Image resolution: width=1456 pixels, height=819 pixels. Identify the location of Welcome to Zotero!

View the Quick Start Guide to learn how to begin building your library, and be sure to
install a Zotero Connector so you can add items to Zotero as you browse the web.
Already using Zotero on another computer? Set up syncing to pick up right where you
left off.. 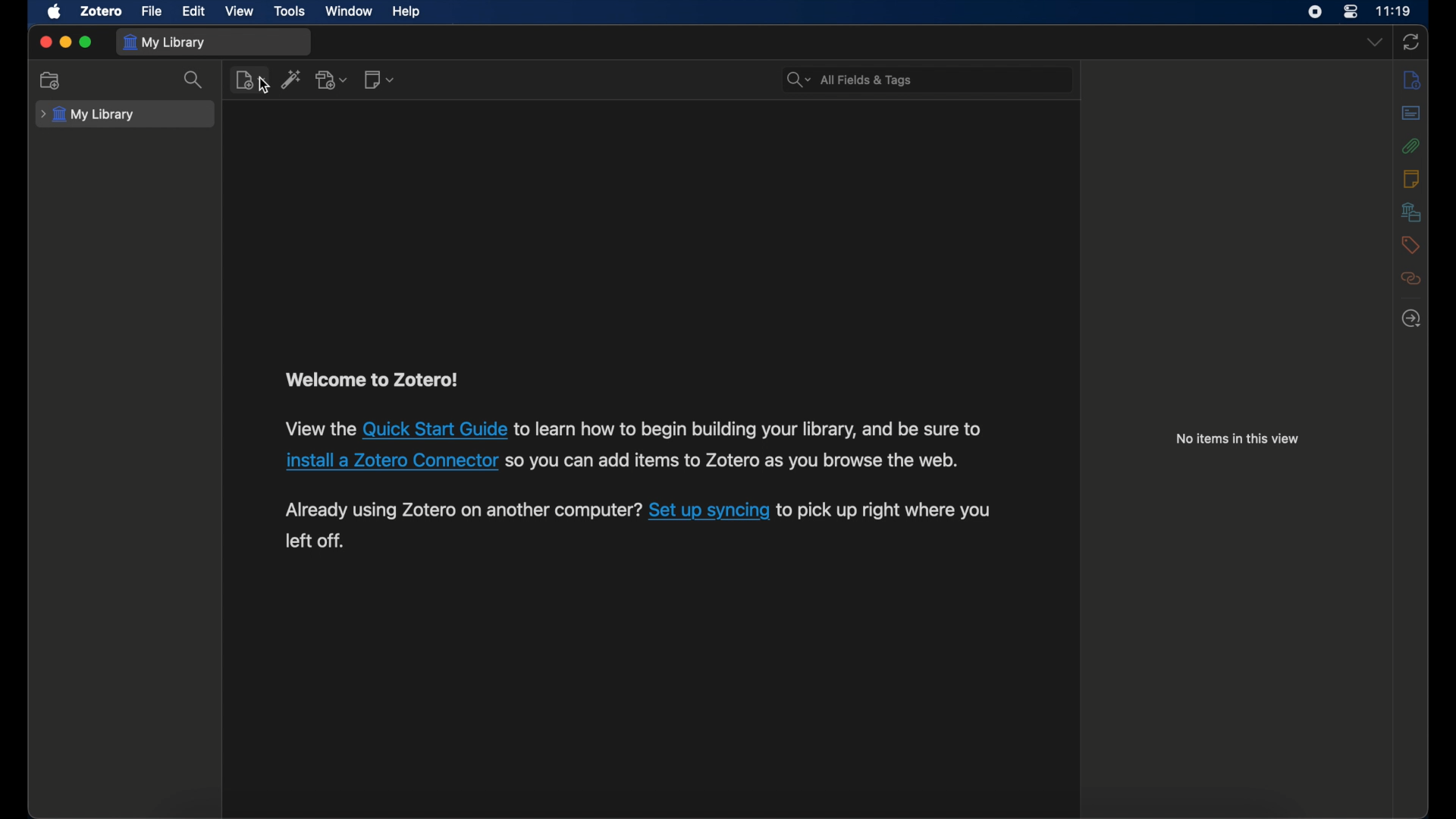
(645, 462).